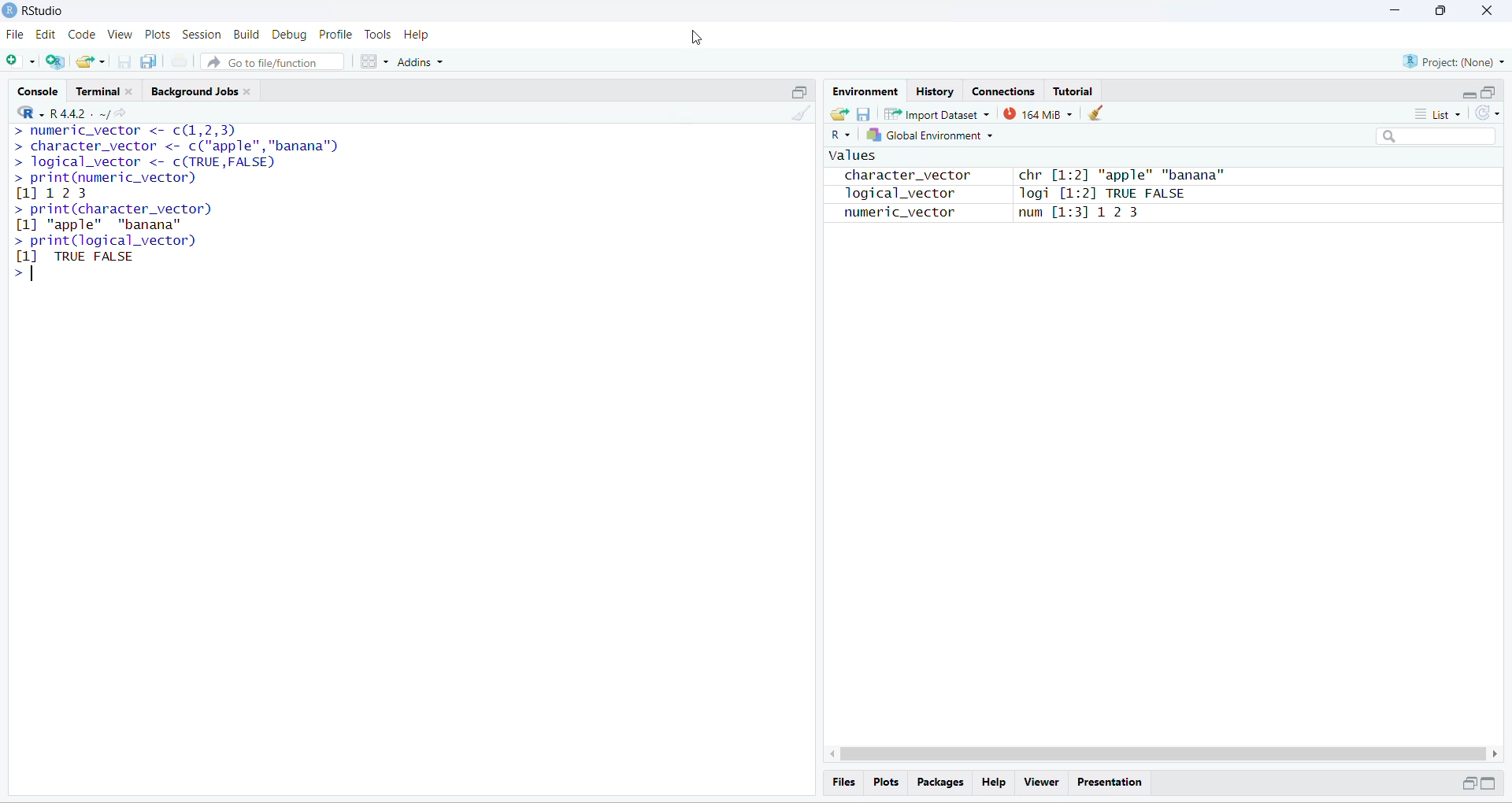 This screenshot has width=1512, height=803. What do you see at coordinates (864, 91) in the screenshot?
I see `Environment.` at bounding box center [864, 91].